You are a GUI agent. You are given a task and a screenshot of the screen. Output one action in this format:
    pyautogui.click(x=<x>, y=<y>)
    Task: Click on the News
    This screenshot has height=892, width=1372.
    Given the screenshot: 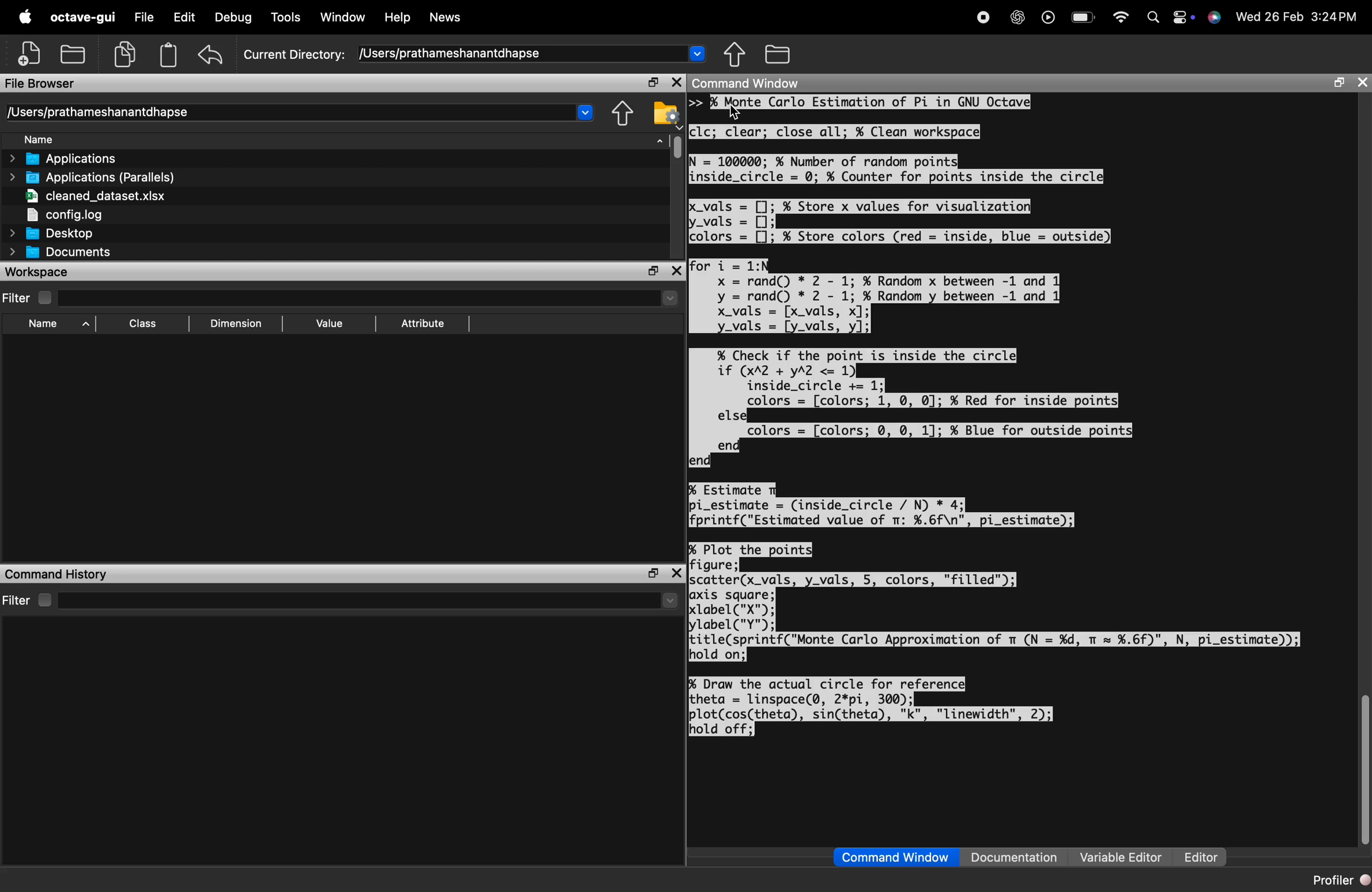 What is the action you would take?
    pyautogui.click(x=446, y=18)
    